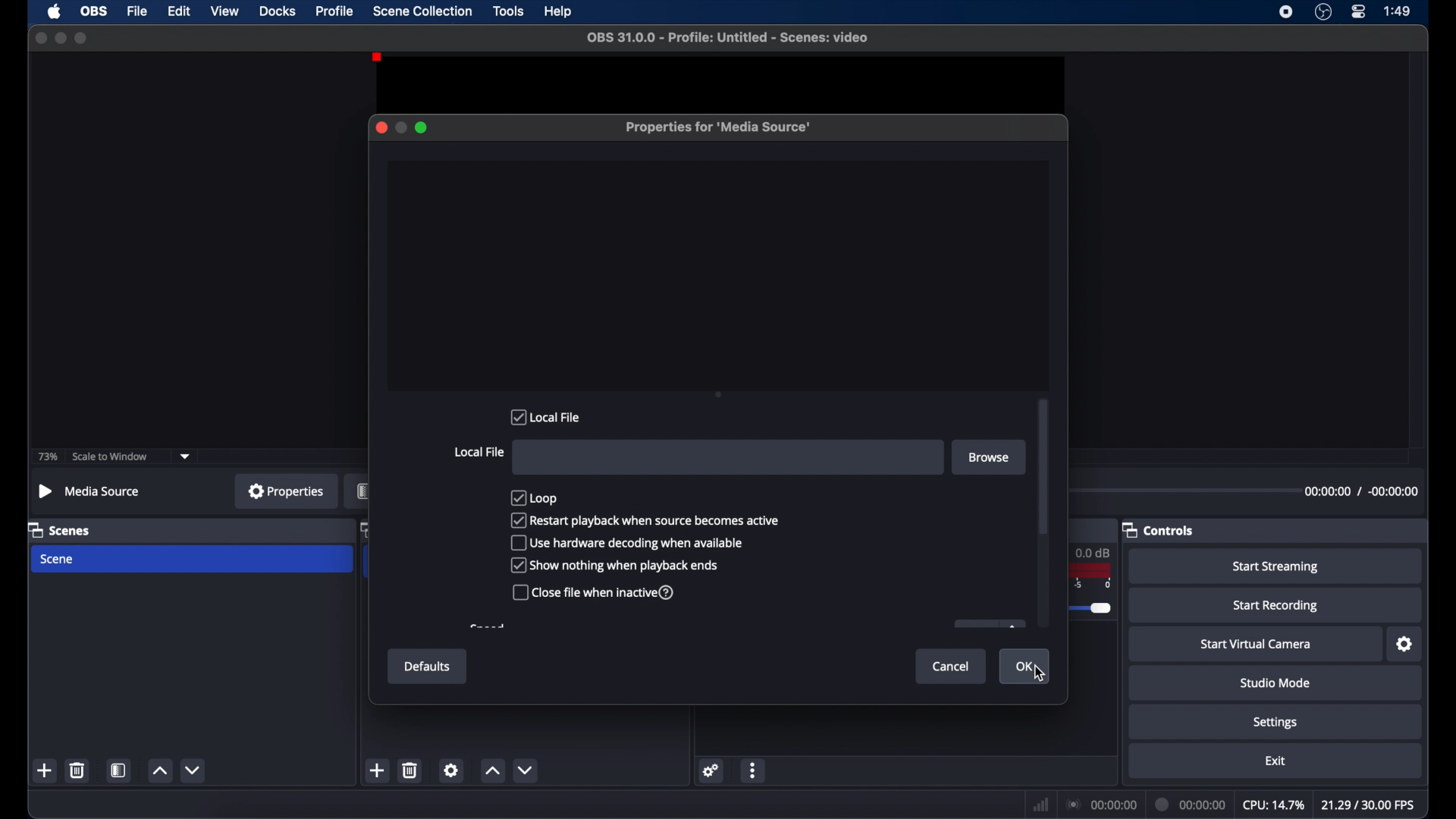 The width and height of the screenshot is (1456, 819). I want to click on time, so click(1398, 11).